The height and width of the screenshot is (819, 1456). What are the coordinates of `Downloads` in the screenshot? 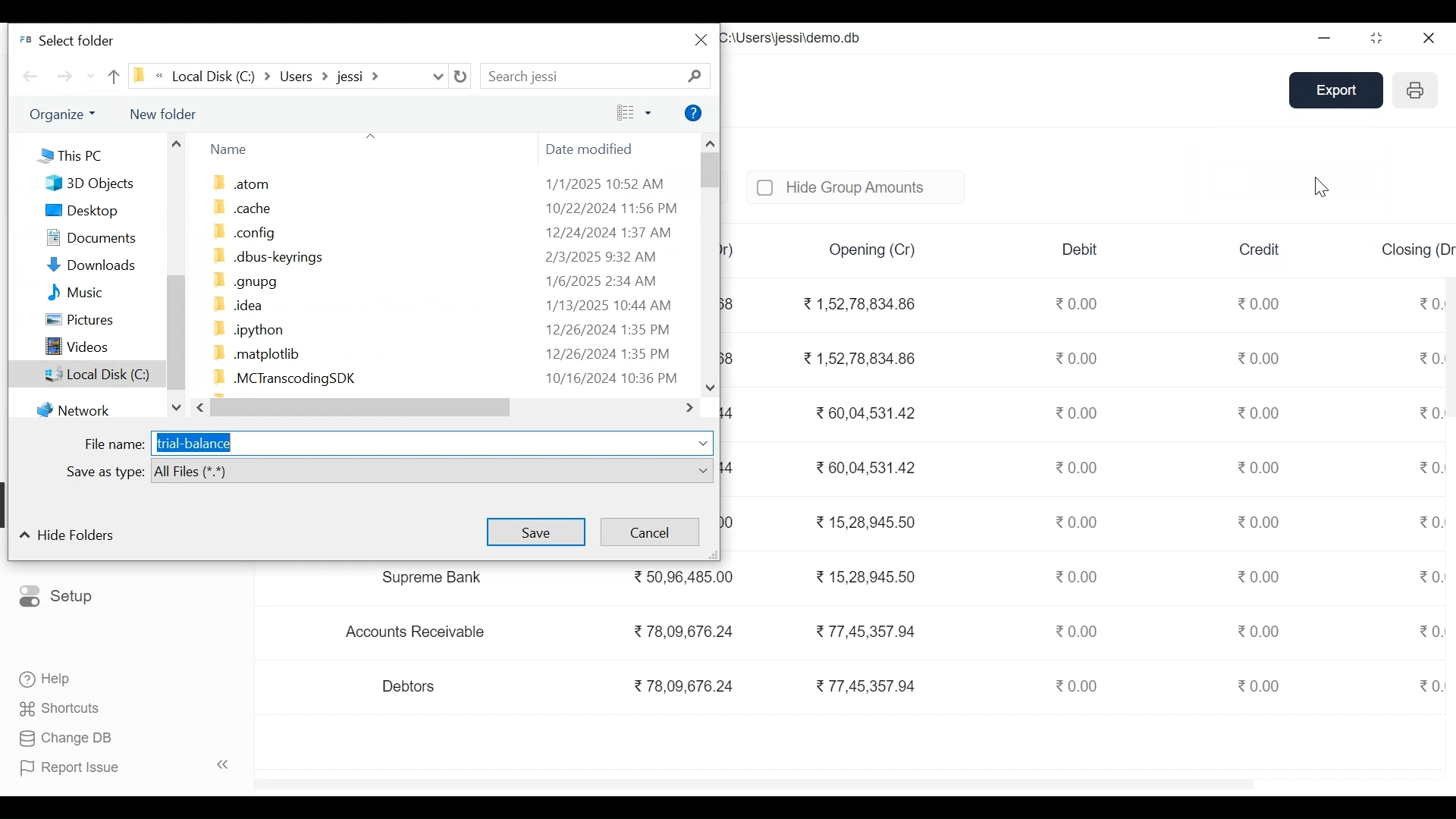 It's located at (92, 265).